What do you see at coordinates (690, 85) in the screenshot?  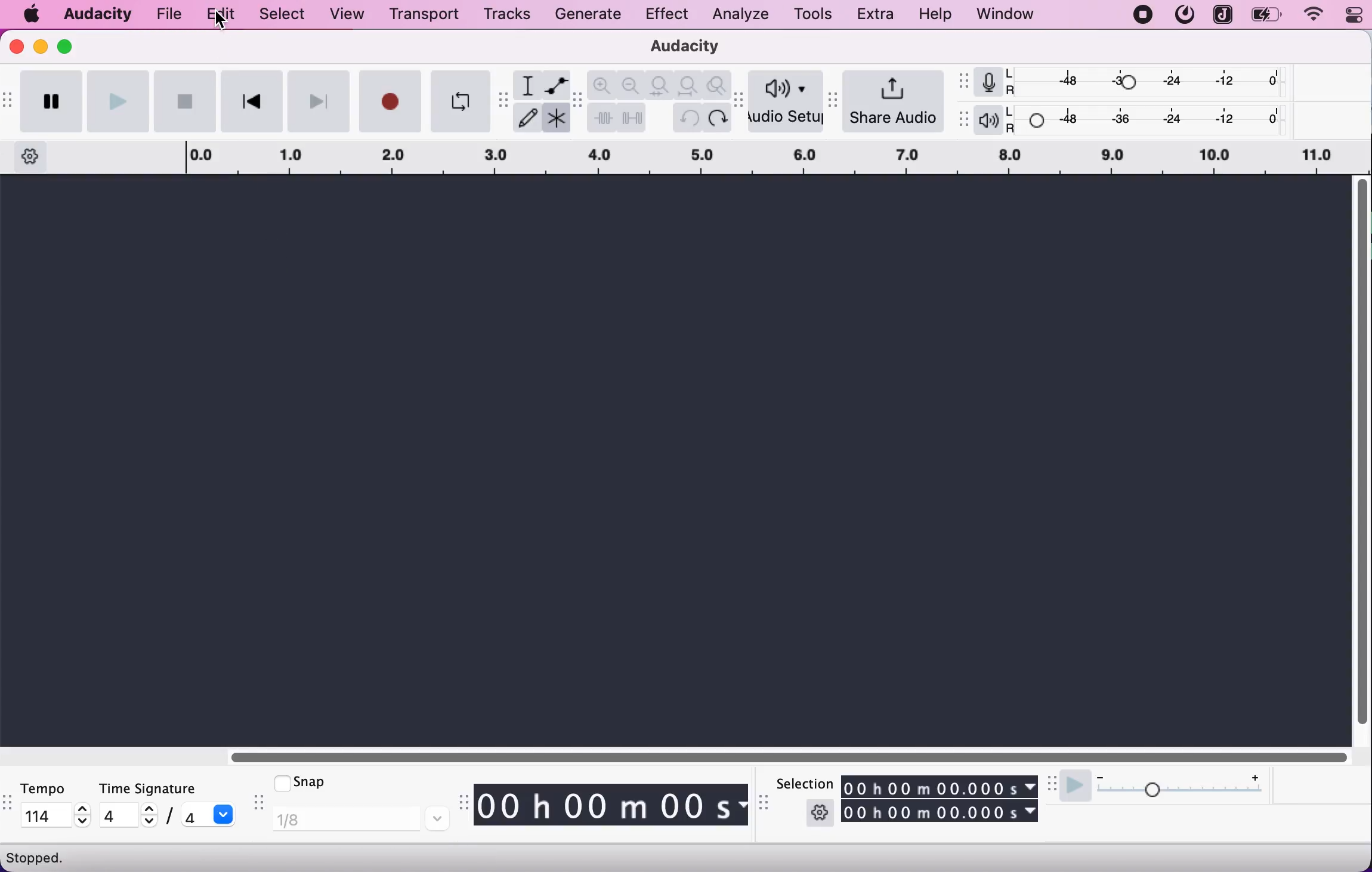 I see `fit project to width` at bounding box center [690, 85].